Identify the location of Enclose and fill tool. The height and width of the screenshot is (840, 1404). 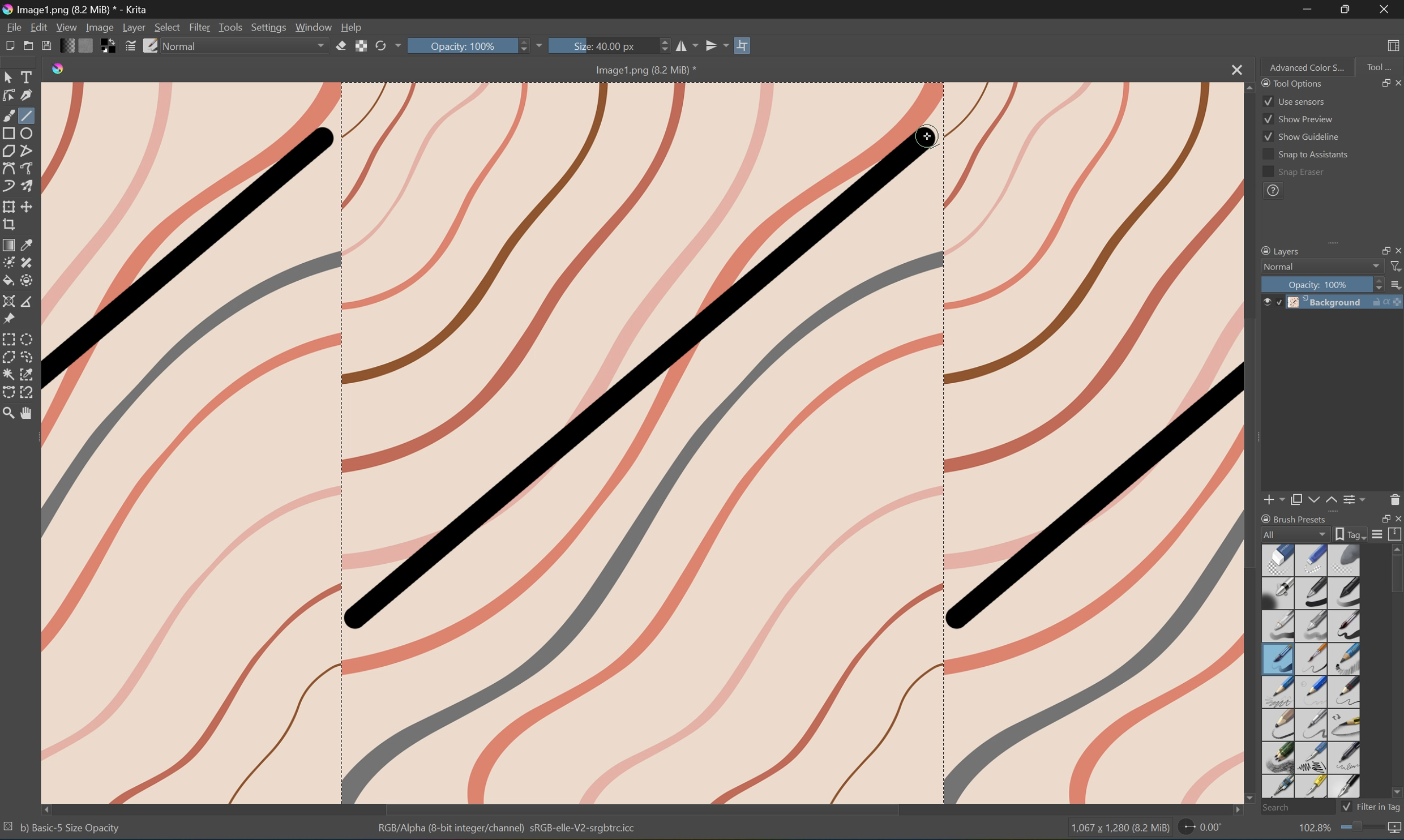
(25, 280).